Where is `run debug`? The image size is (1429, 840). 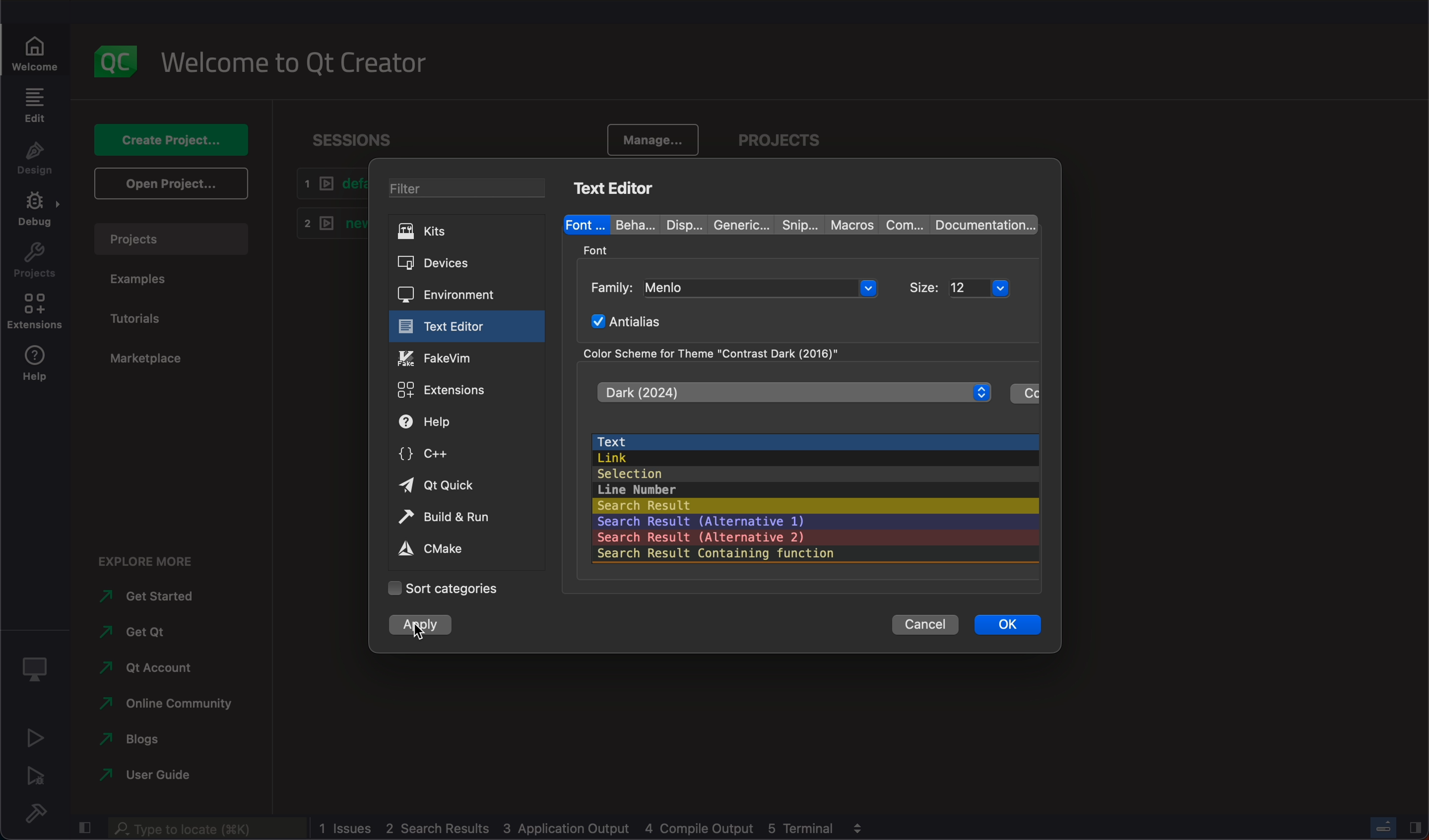
run debug is located at coordinates (35, 777).